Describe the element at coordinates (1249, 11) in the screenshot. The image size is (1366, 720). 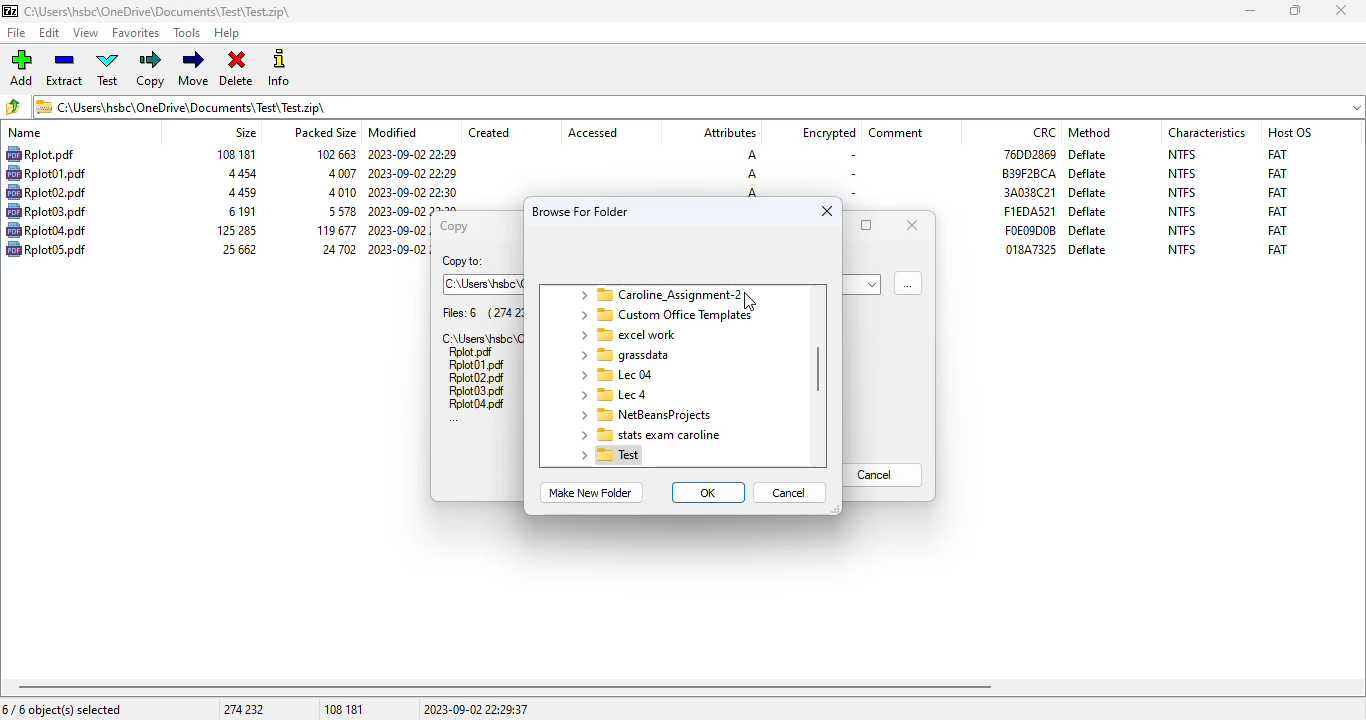
I see `minimize` at that location.